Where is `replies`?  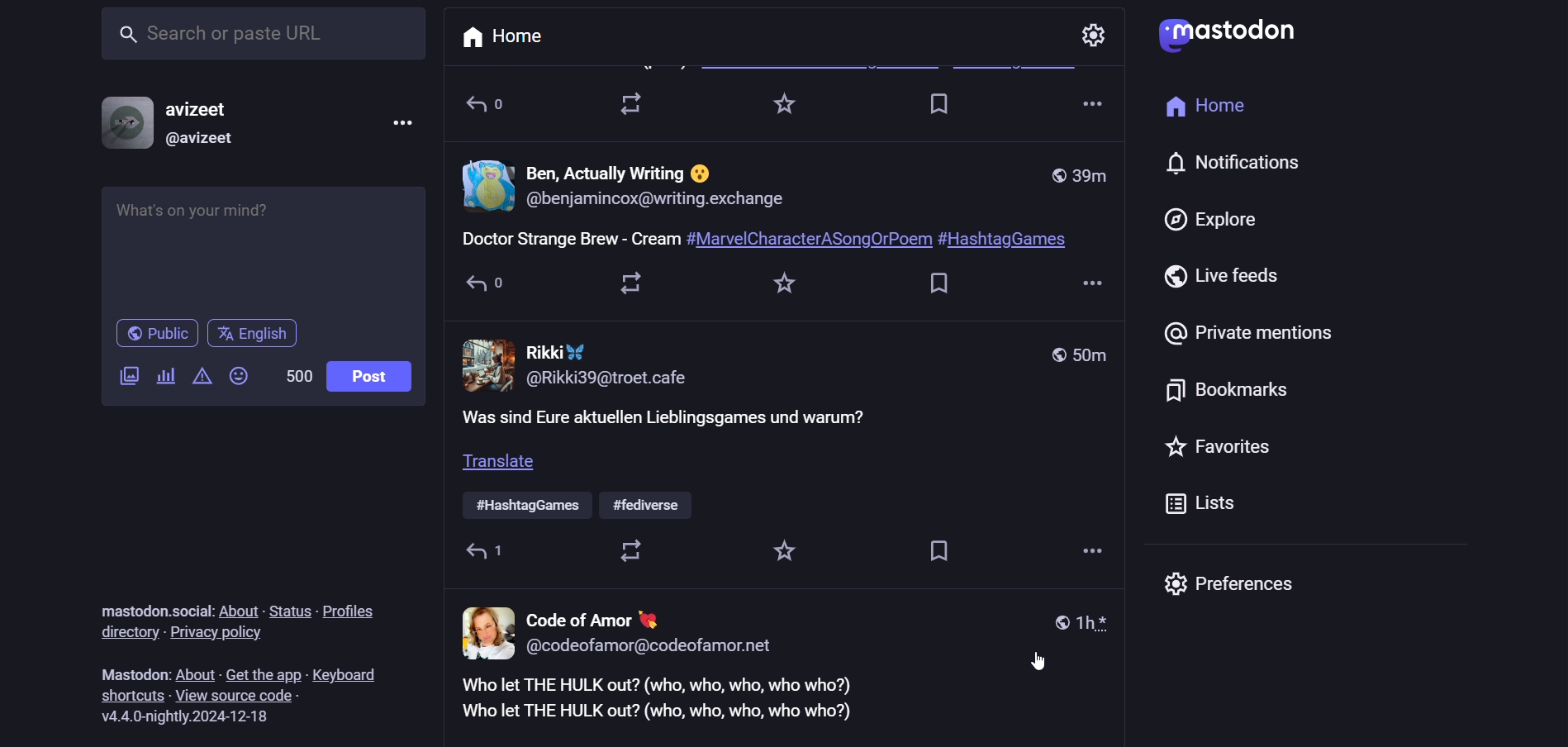
replies is located at coordinates (493, 111).